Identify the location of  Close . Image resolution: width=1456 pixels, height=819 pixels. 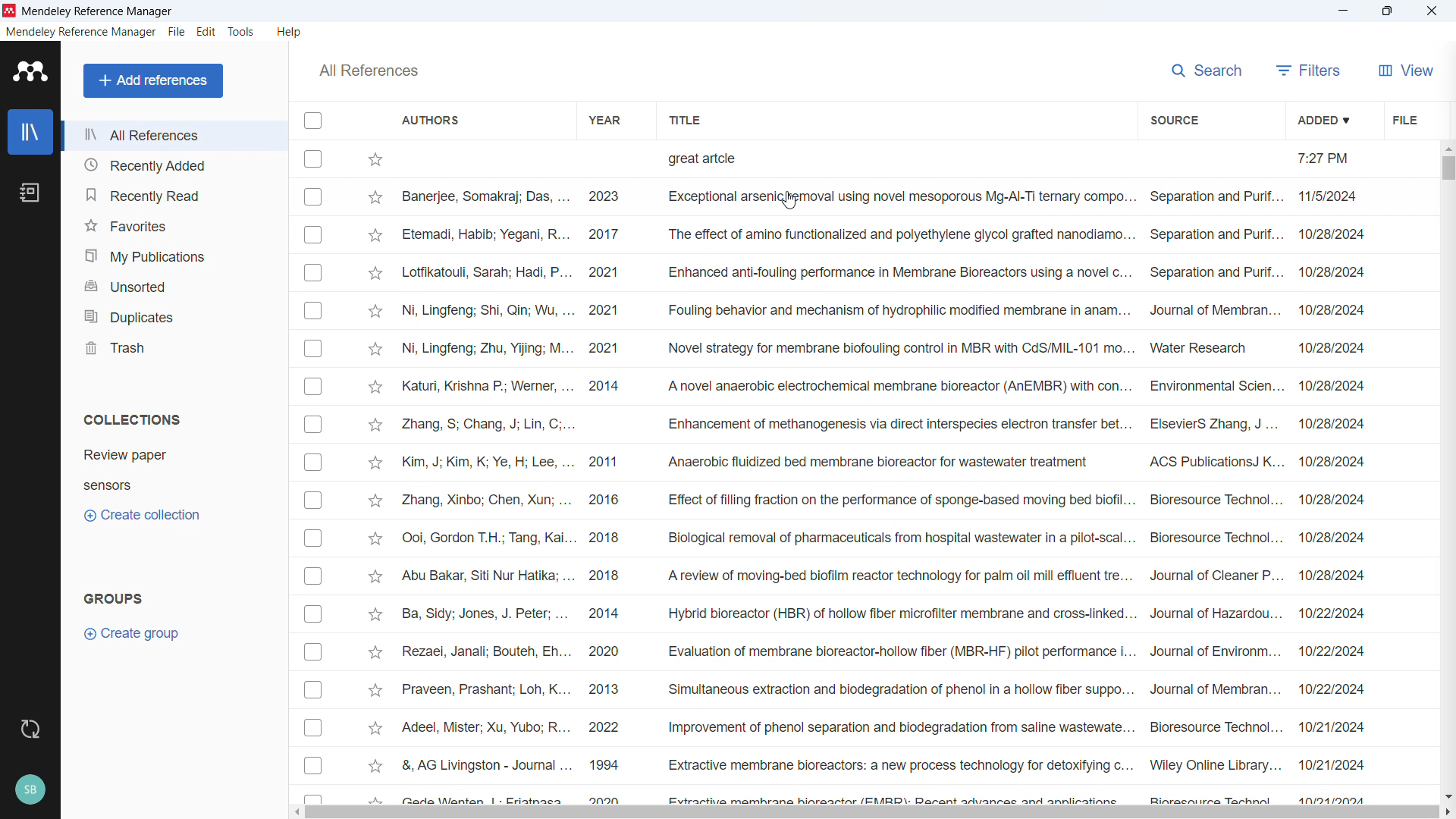
(1431, 11).